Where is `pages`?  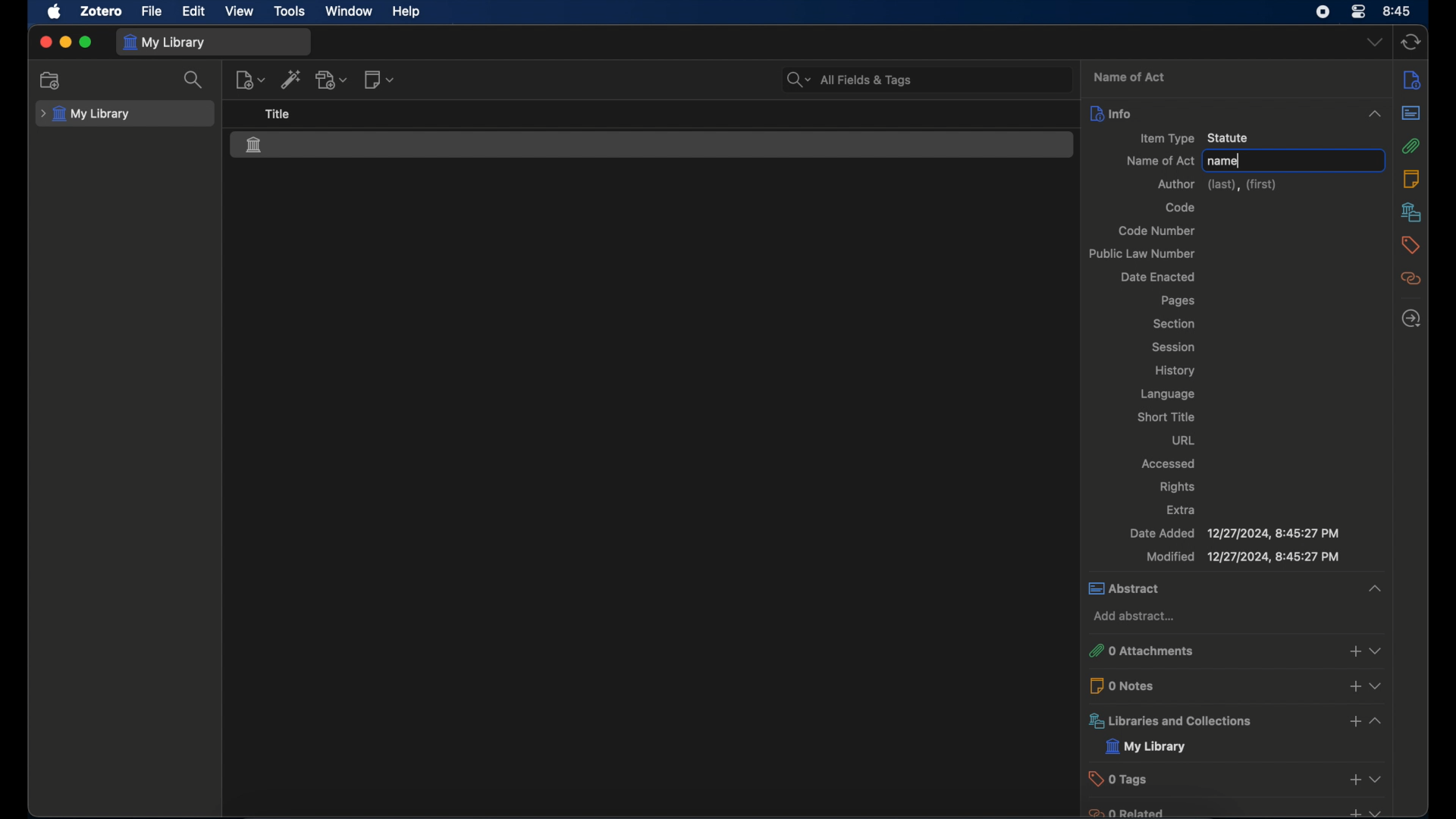 pages is located at coordinates (1178, 301).